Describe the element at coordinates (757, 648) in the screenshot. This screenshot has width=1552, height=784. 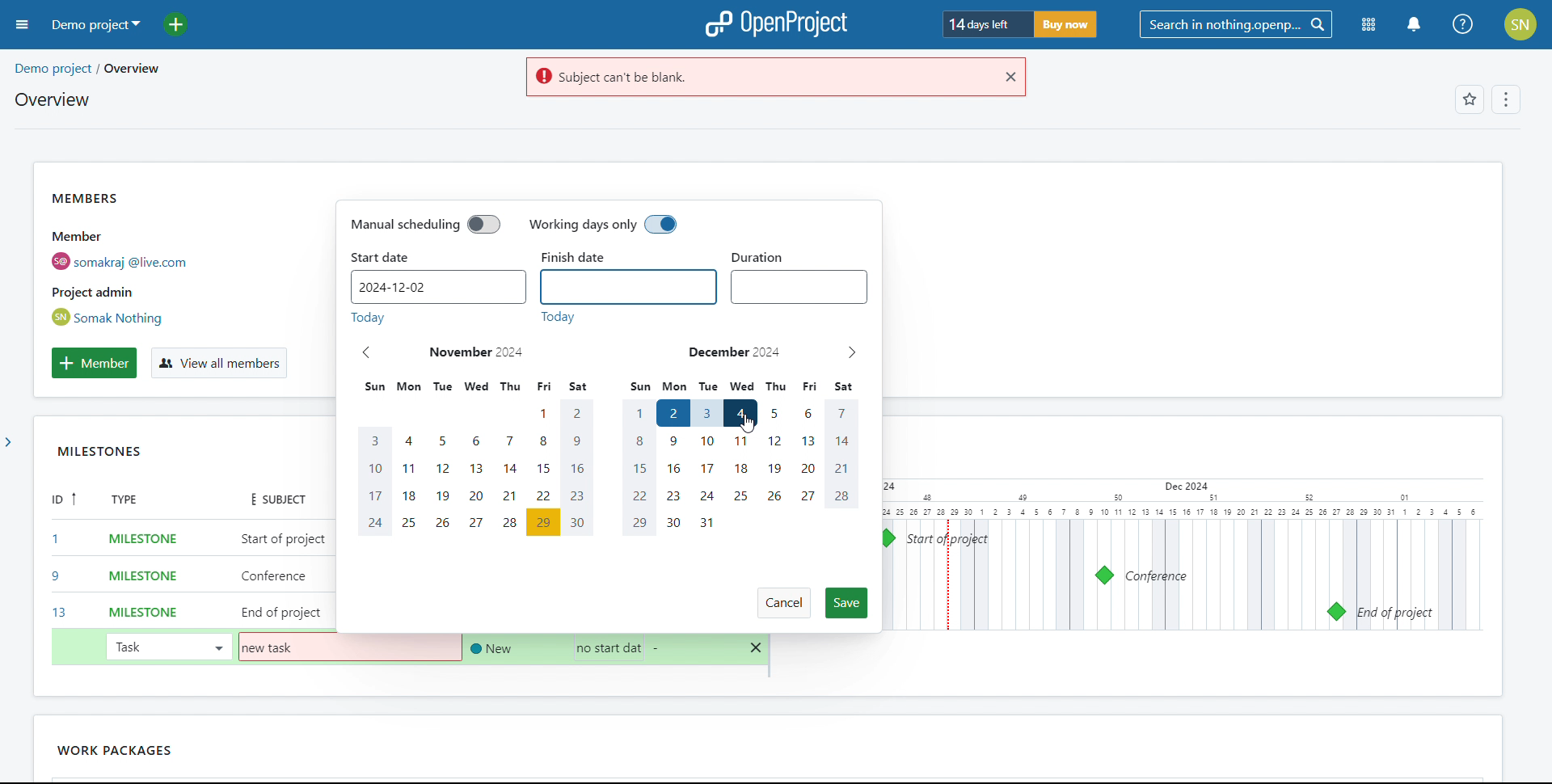
I see `delete` at that location.